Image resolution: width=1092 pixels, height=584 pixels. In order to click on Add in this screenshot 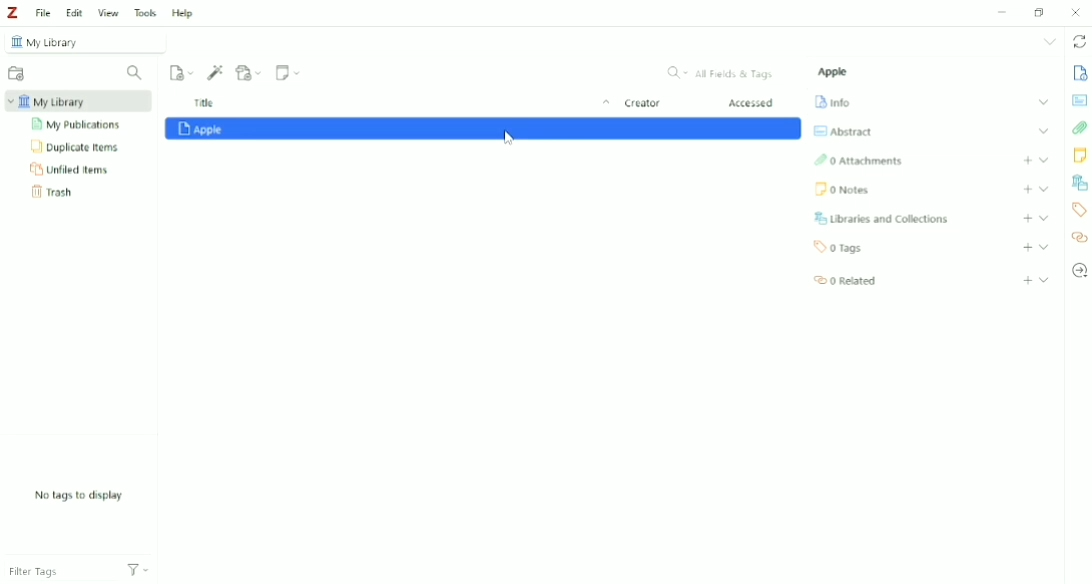, I will do `click(1027, 160)`.